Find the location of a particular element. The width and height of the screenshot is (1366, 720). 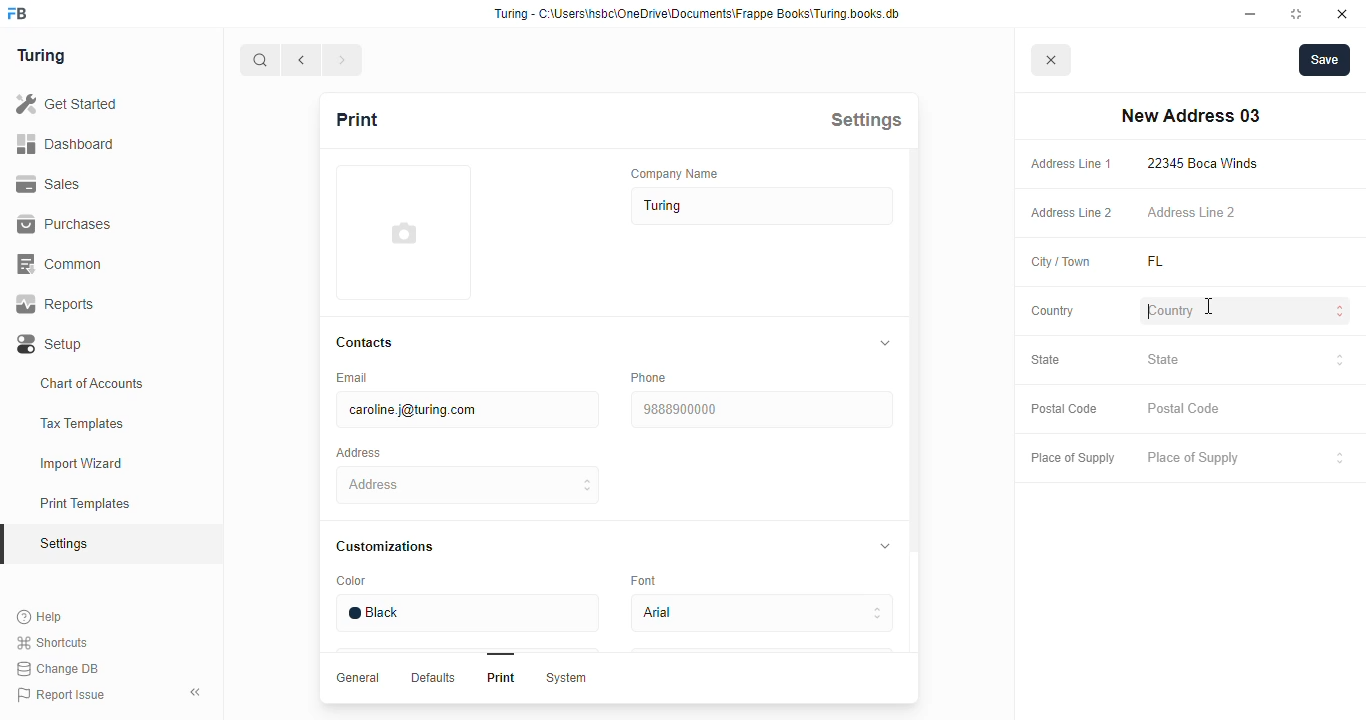

cursor is located at coordinates (1208, 305).